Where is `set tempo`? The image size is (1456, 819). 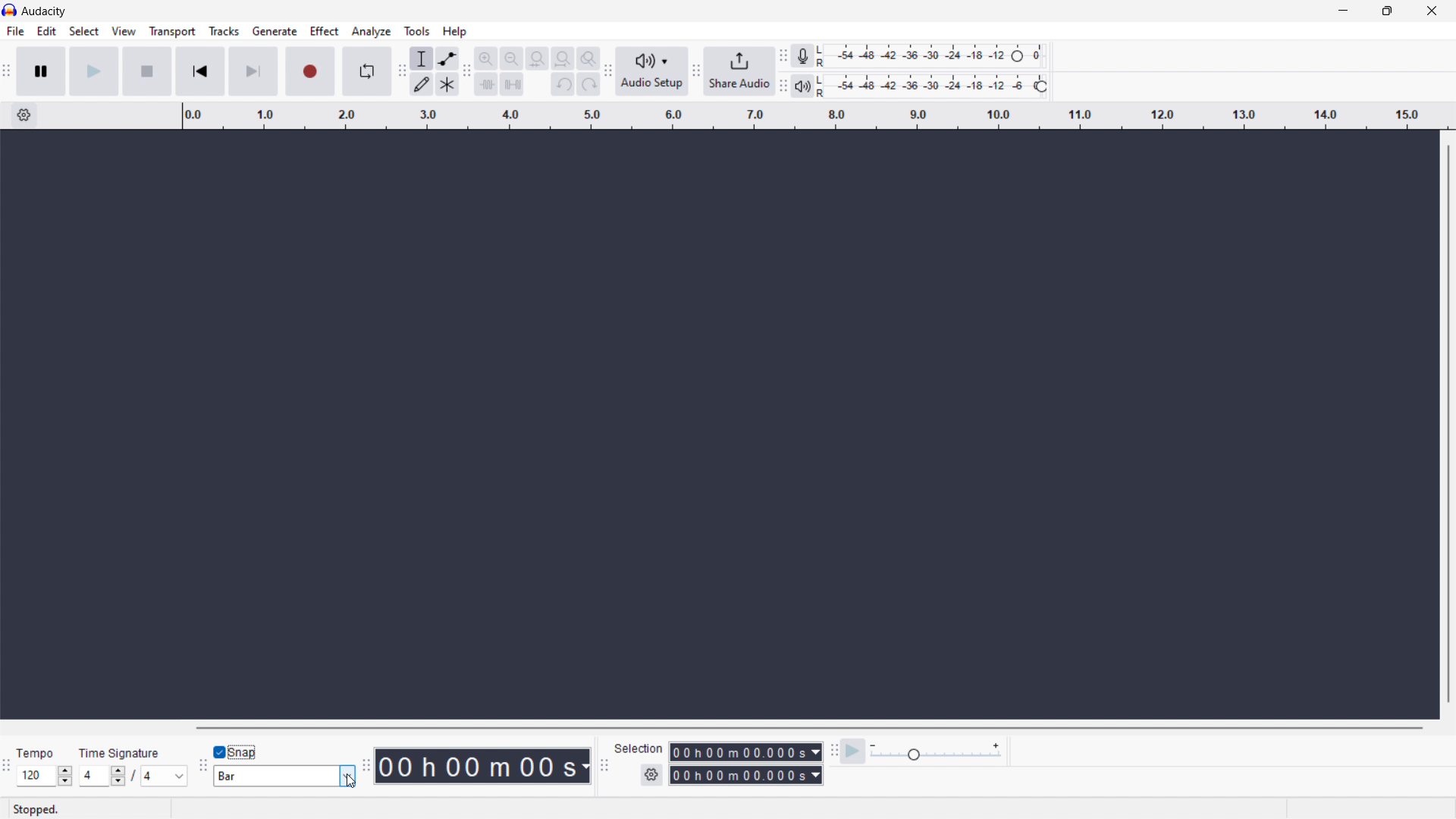 set tempo is located at coordinates (44, 776).